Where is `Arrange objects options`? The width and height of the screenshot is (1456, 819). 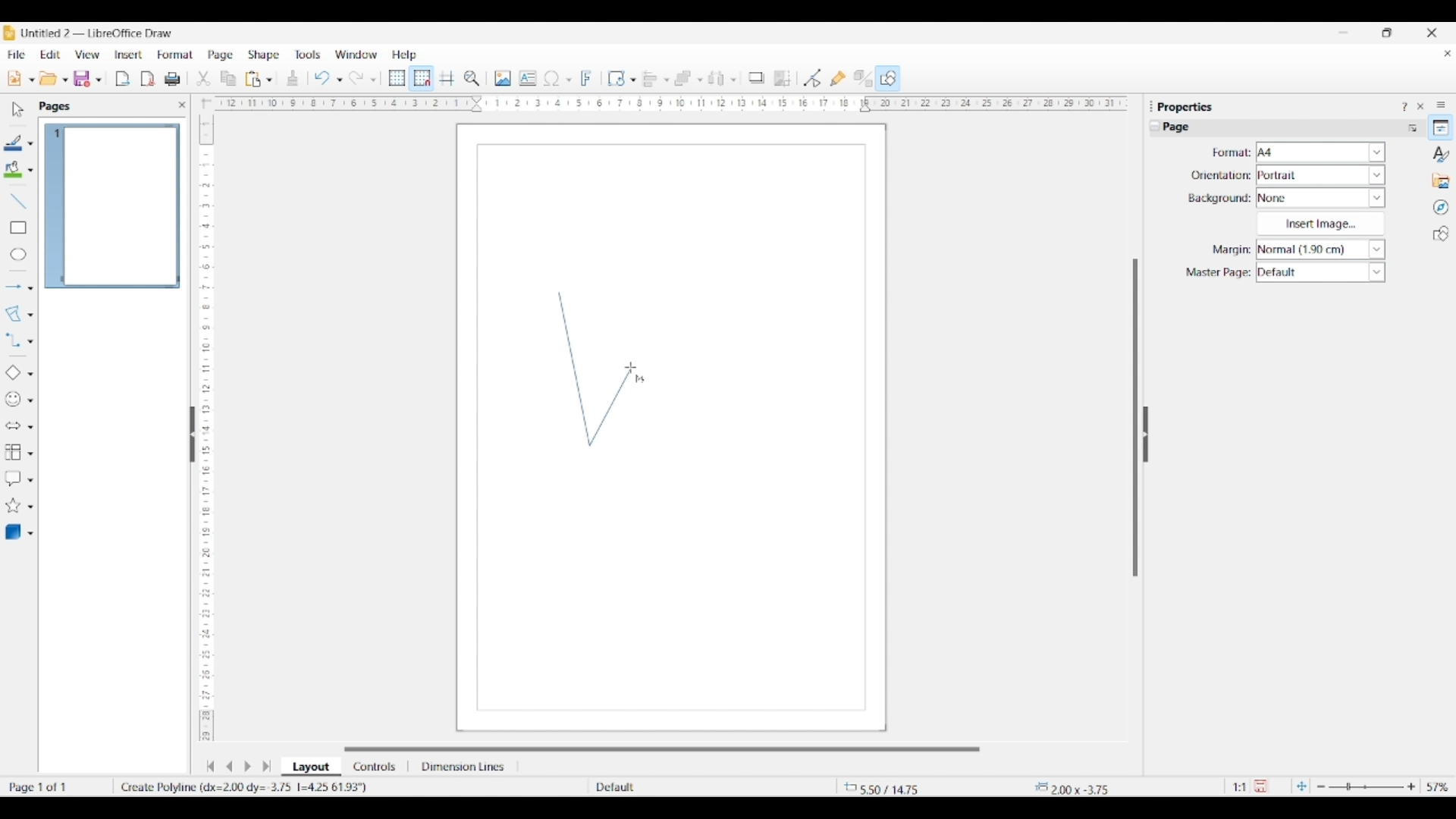 Arrange objects options is located at coordinates (700, 80).